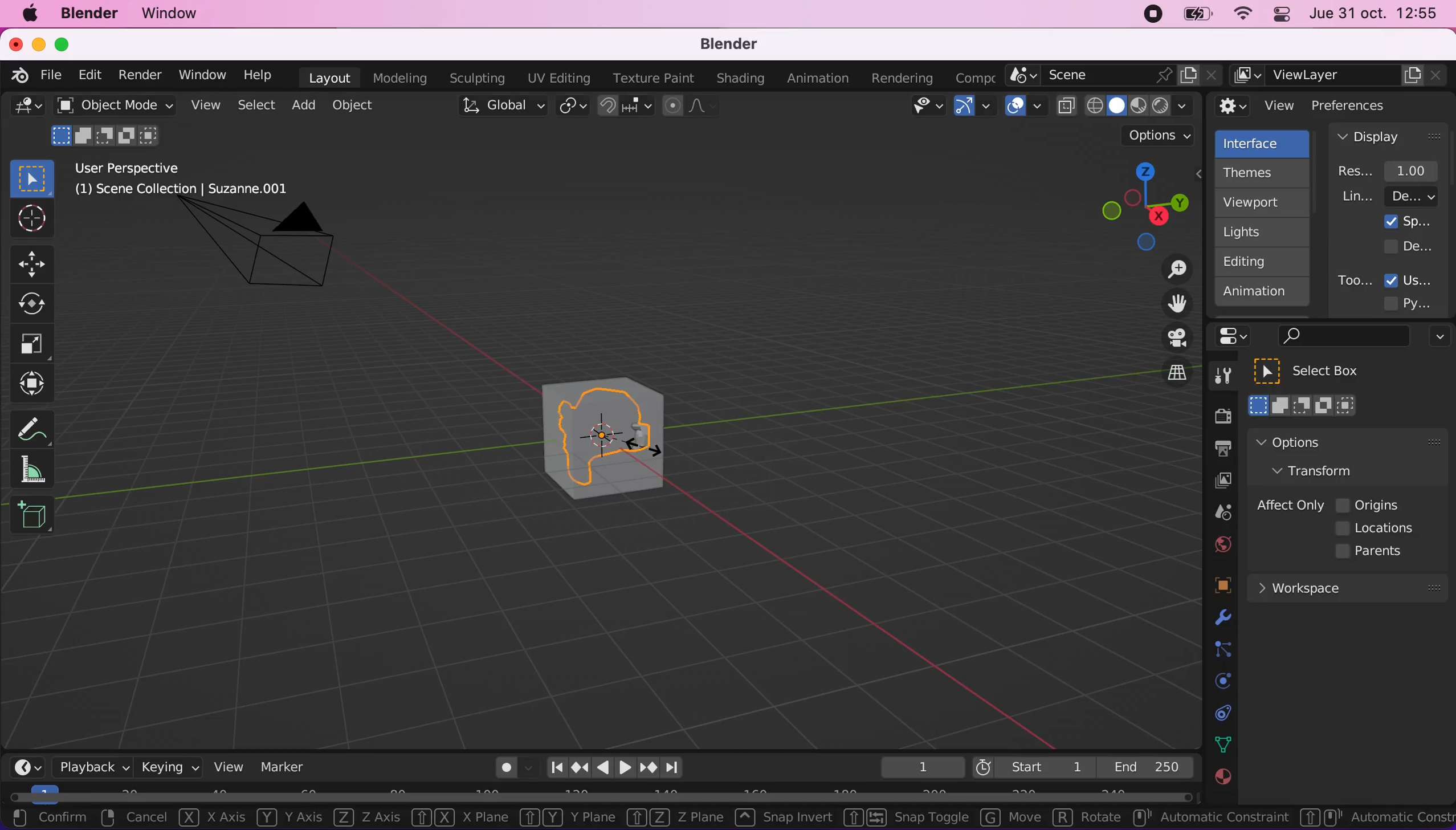 The height and width of the screenshot is (830, 1456). Describe the element at coordinates (224, 766) in the screenshot. I see `view` at that location.